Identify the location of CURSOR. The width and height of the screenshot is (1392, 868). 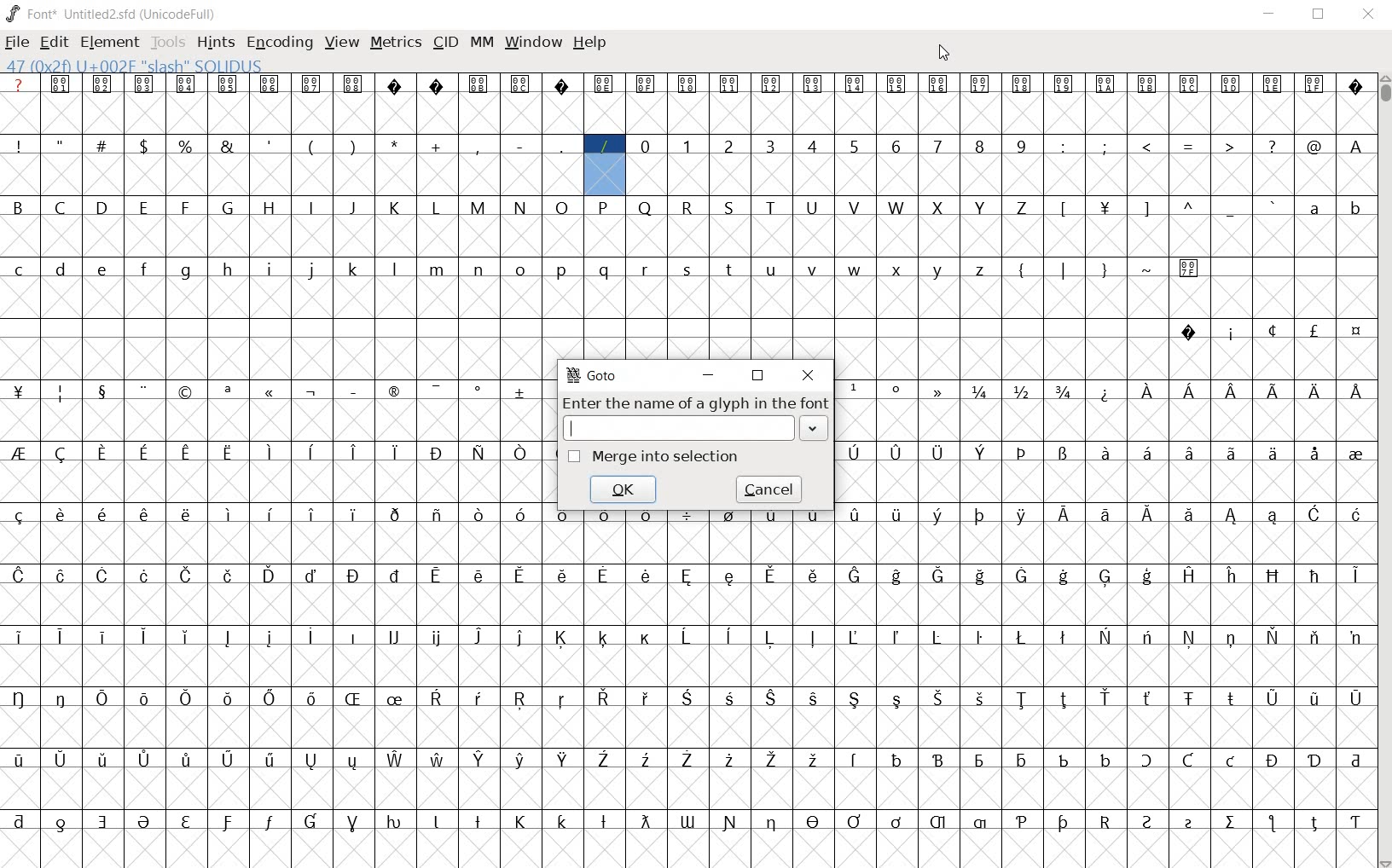
(945, 52).